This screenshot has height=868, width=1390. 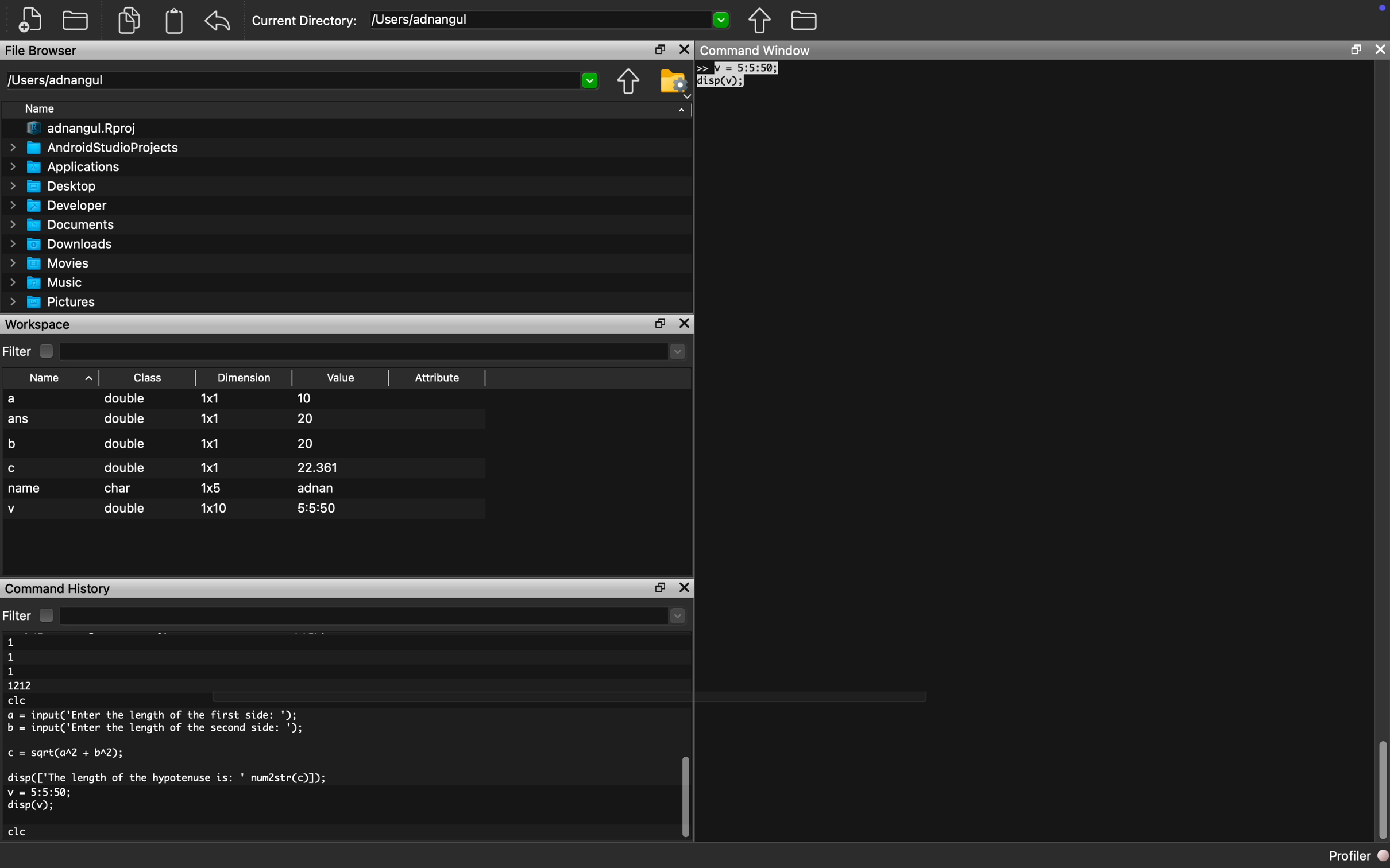 I want to click on double, so click(x=128, y=444).